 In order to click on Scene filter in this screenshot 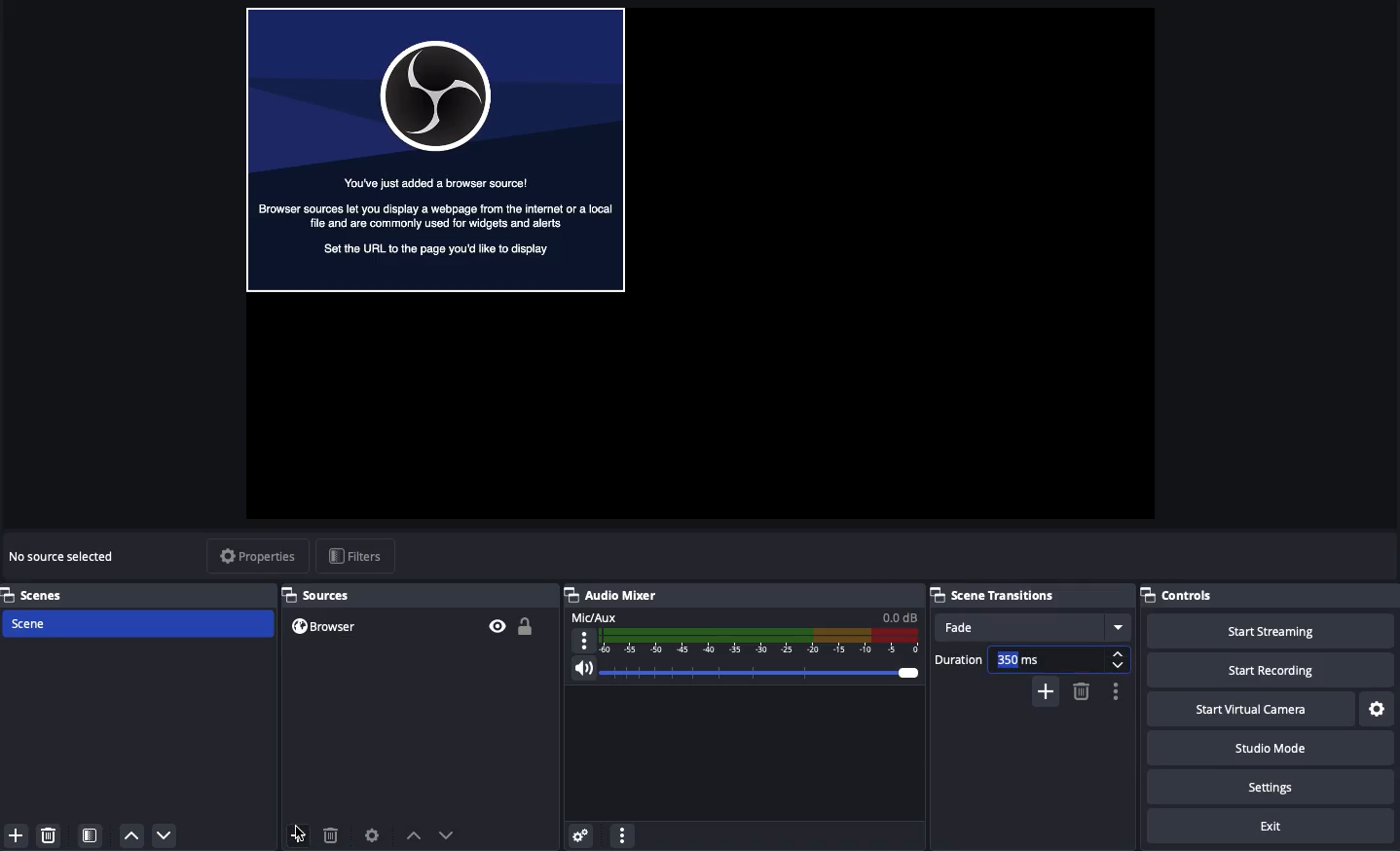, I will do `click(91, 835)`.